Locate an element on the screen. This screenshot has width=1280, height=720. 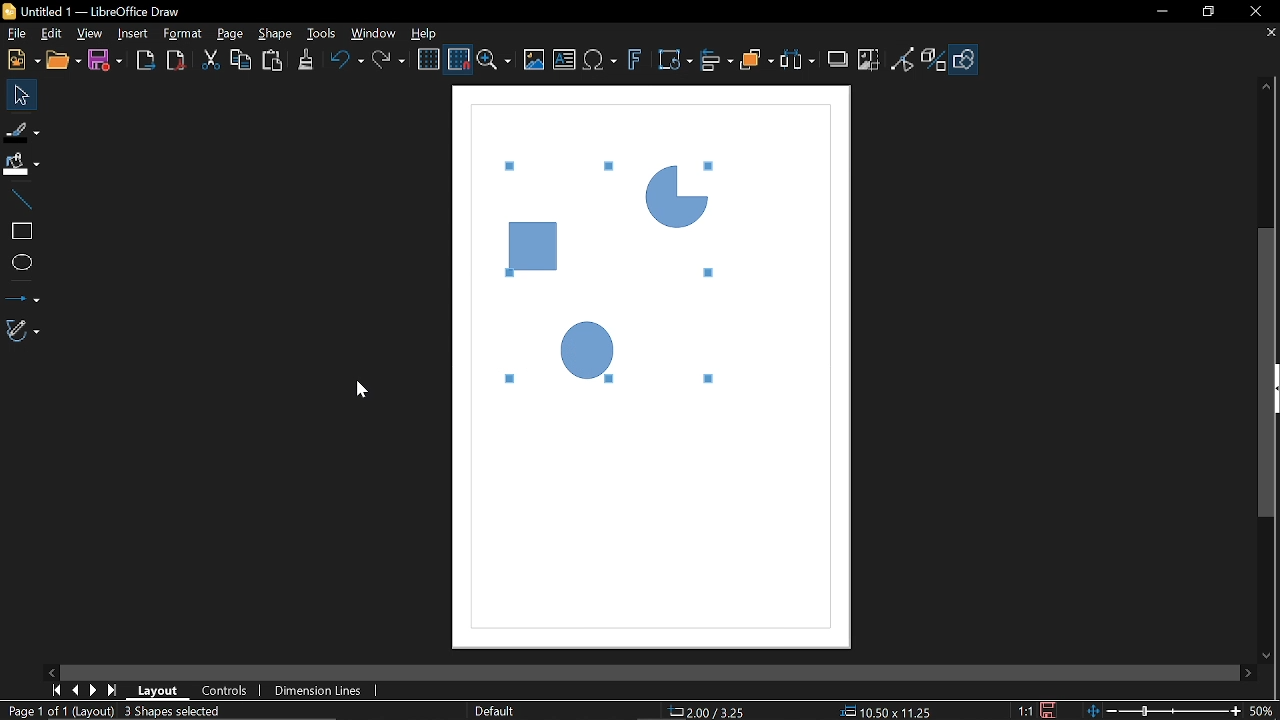
Position  is located at coordinates (713, 711).